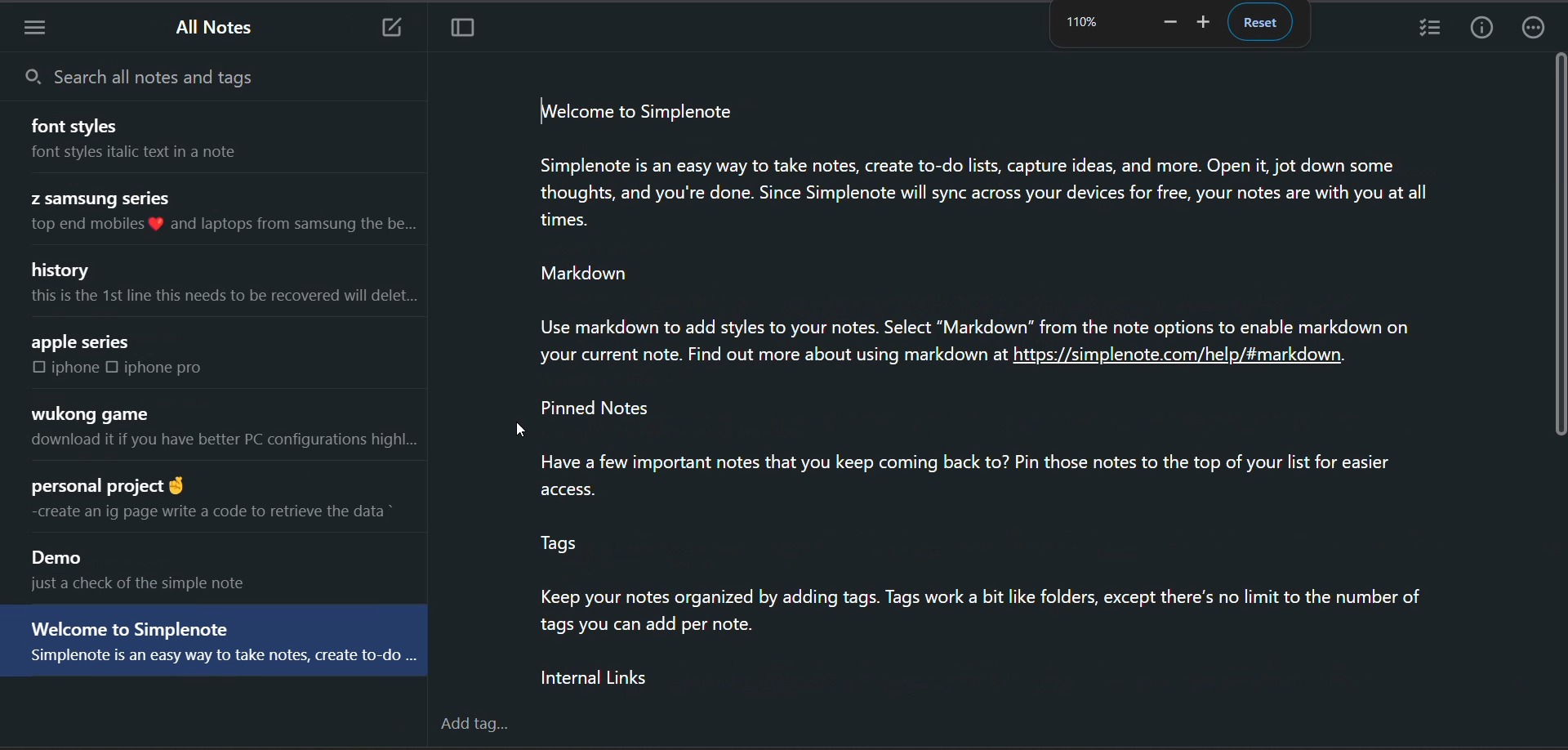  Describe the element at coordinates (1558, 245) in the screenshot. I see `vertical scroll bar` at that location.